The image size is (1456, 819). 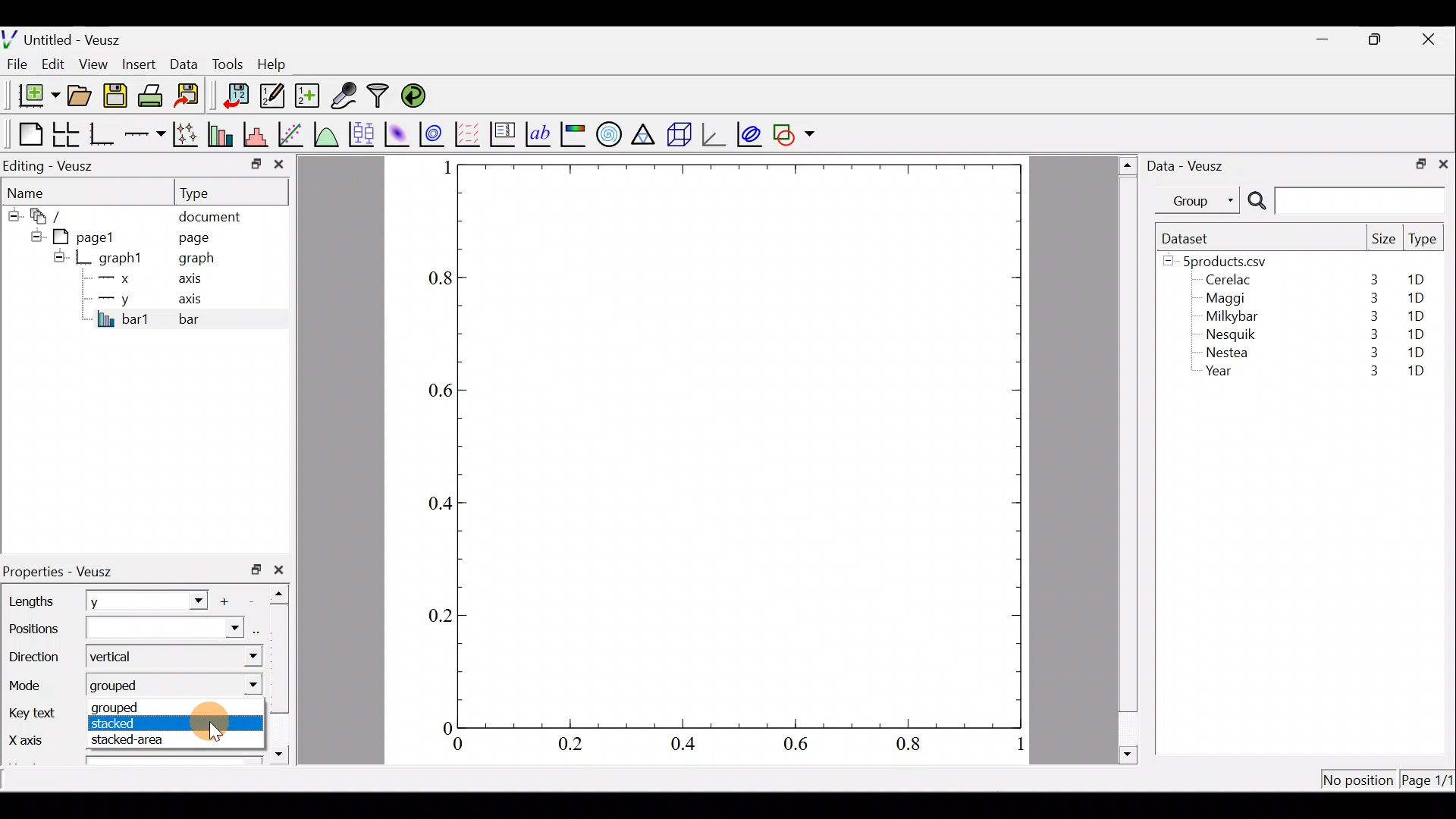 I want to click on 0.2, so click(x=441, y=614).